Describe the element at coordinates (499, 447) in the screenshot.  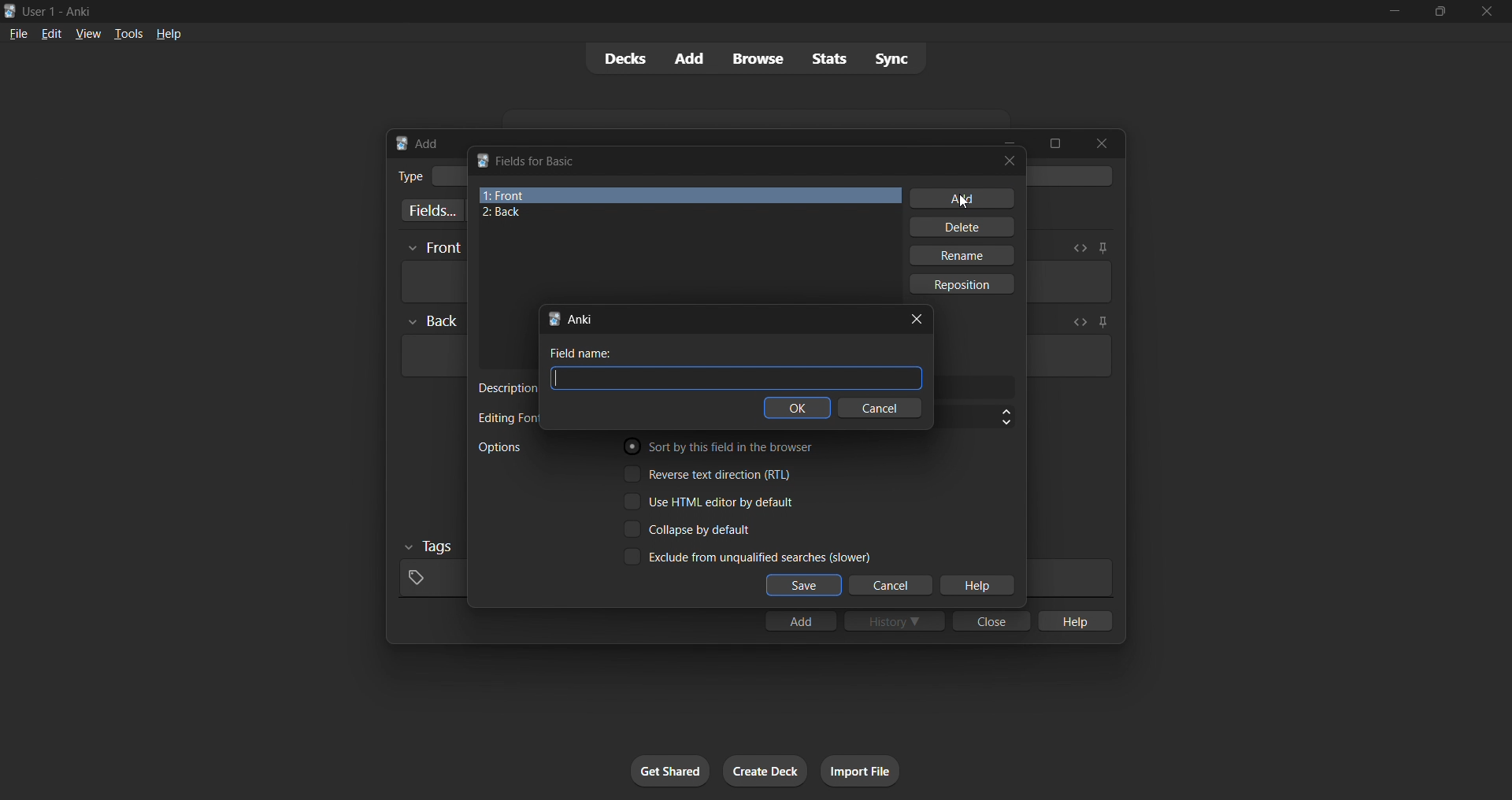
I see `Text` at that location.